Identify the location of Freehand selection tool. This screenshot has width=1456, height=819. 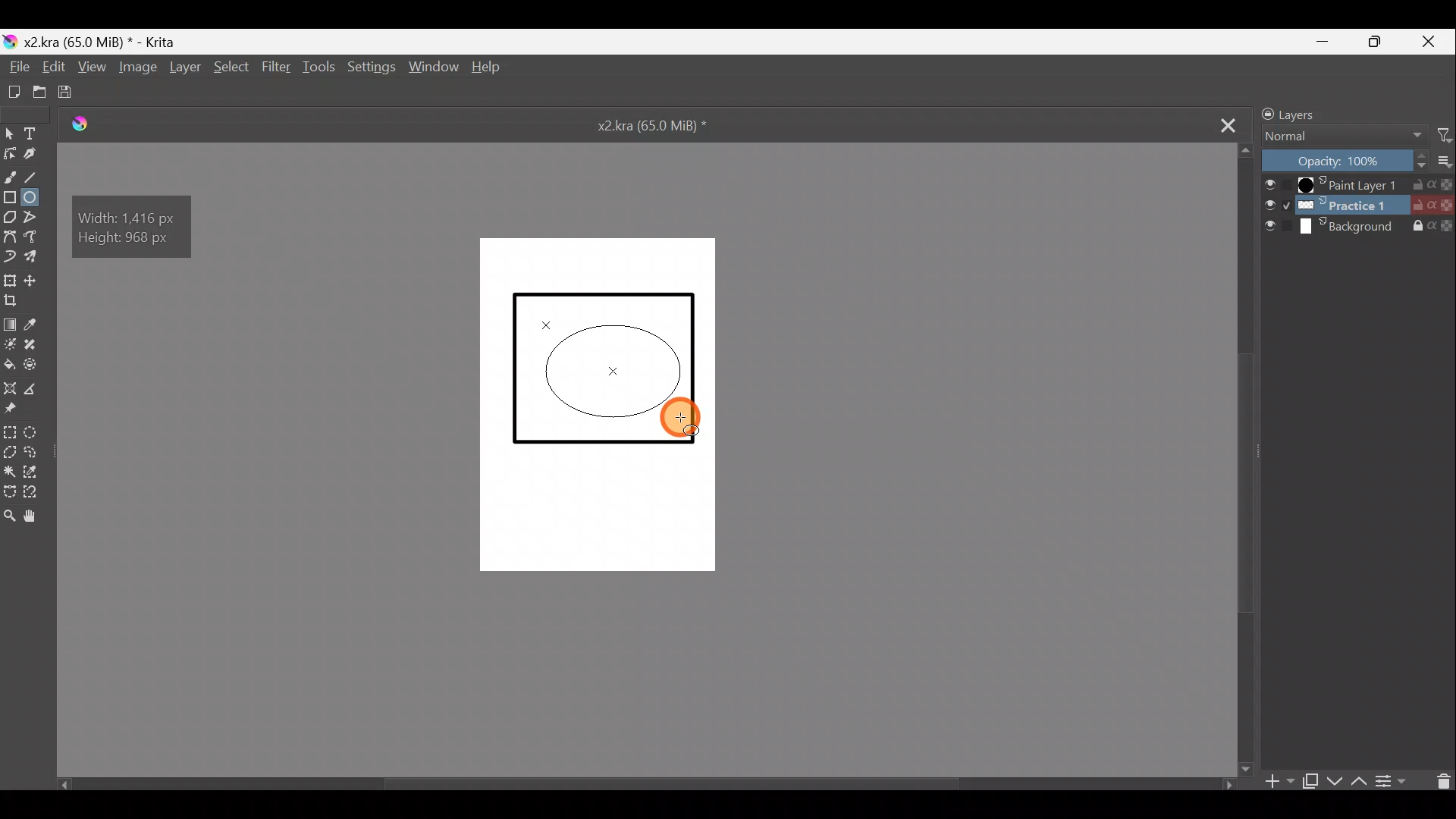
(33, 452).